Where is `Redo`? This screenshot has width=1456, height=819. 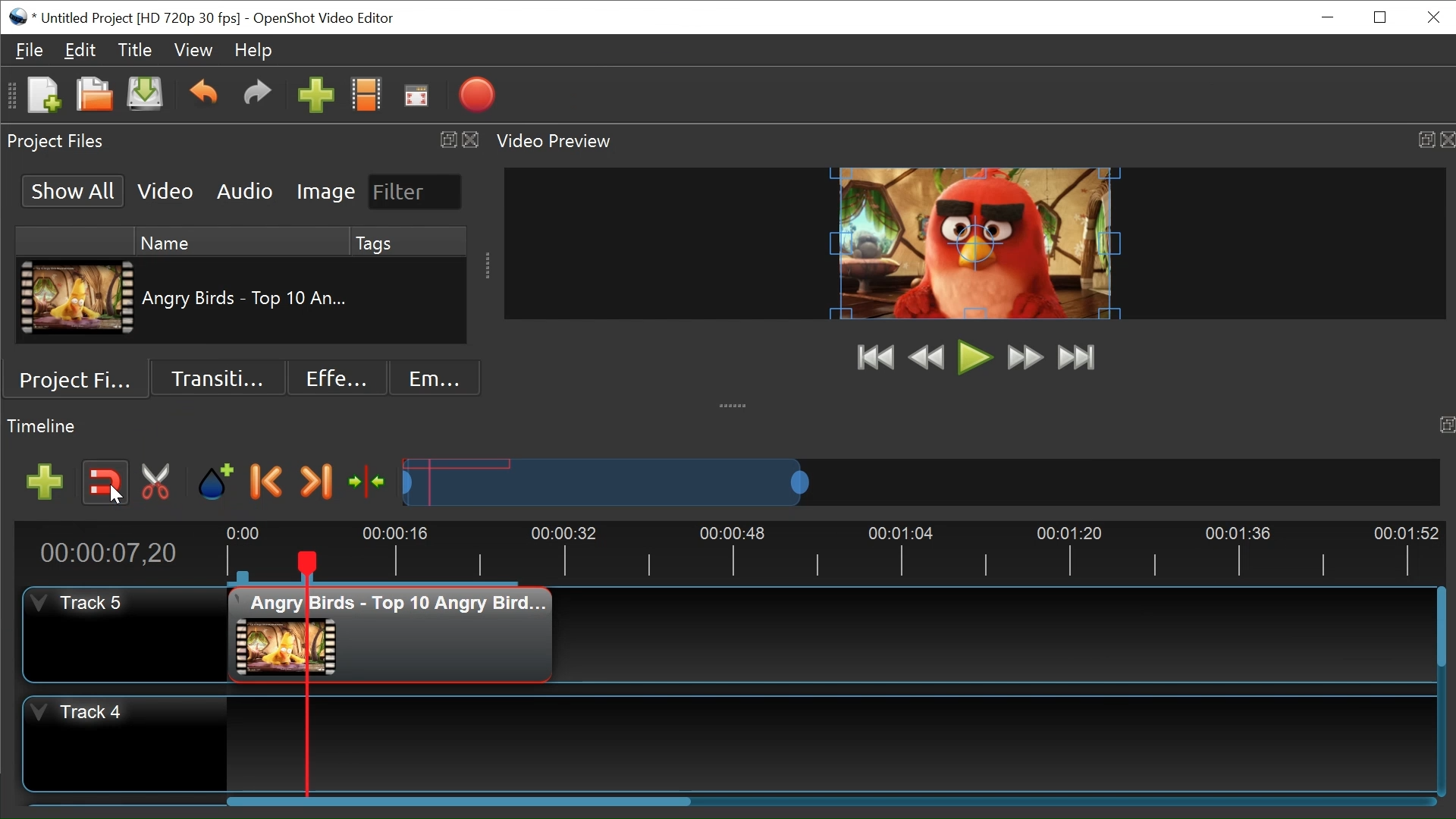 Redo is located at coordinates (256, 98).